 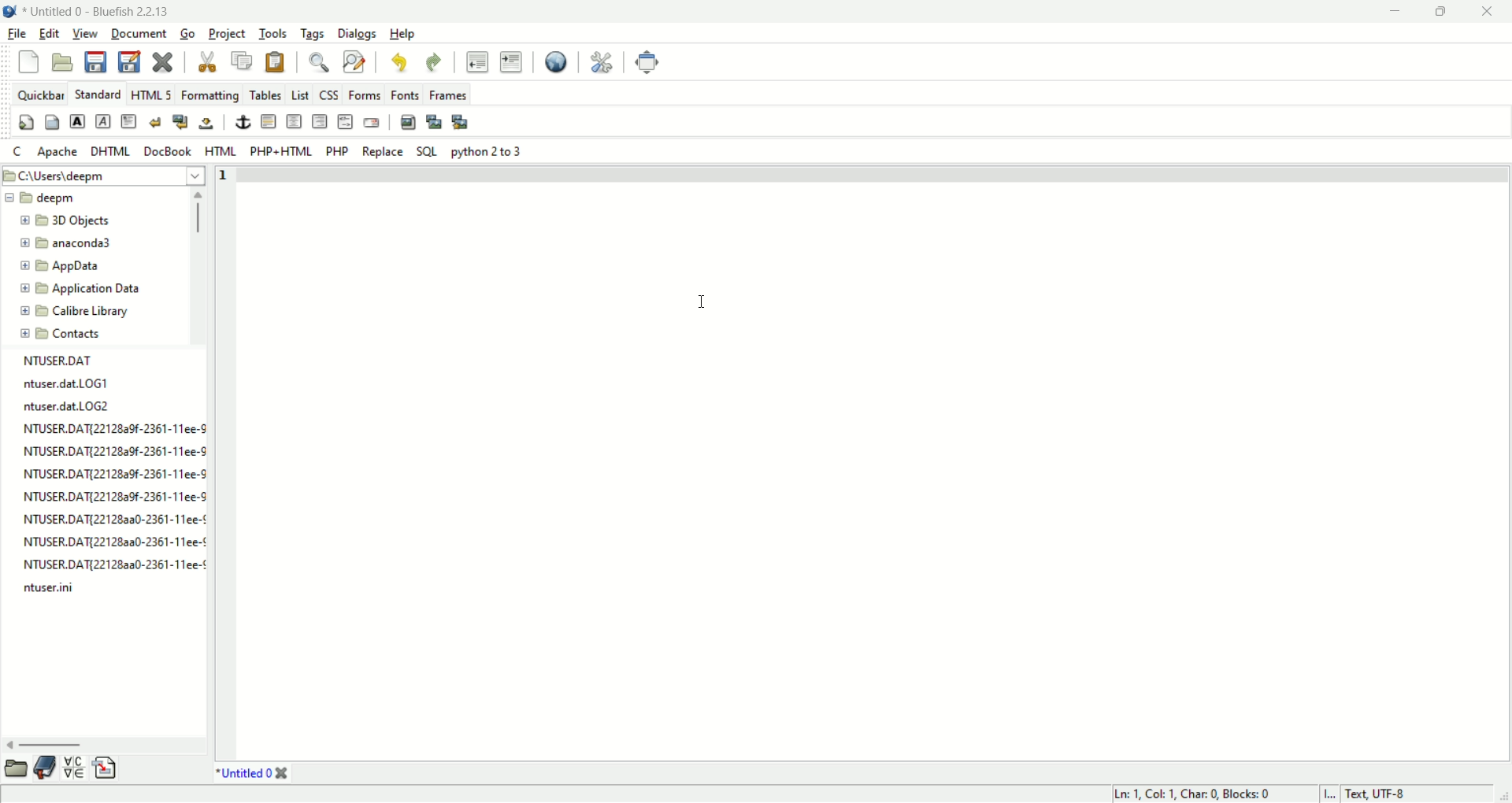 I want to click on undo, so click(x=396, y=61).